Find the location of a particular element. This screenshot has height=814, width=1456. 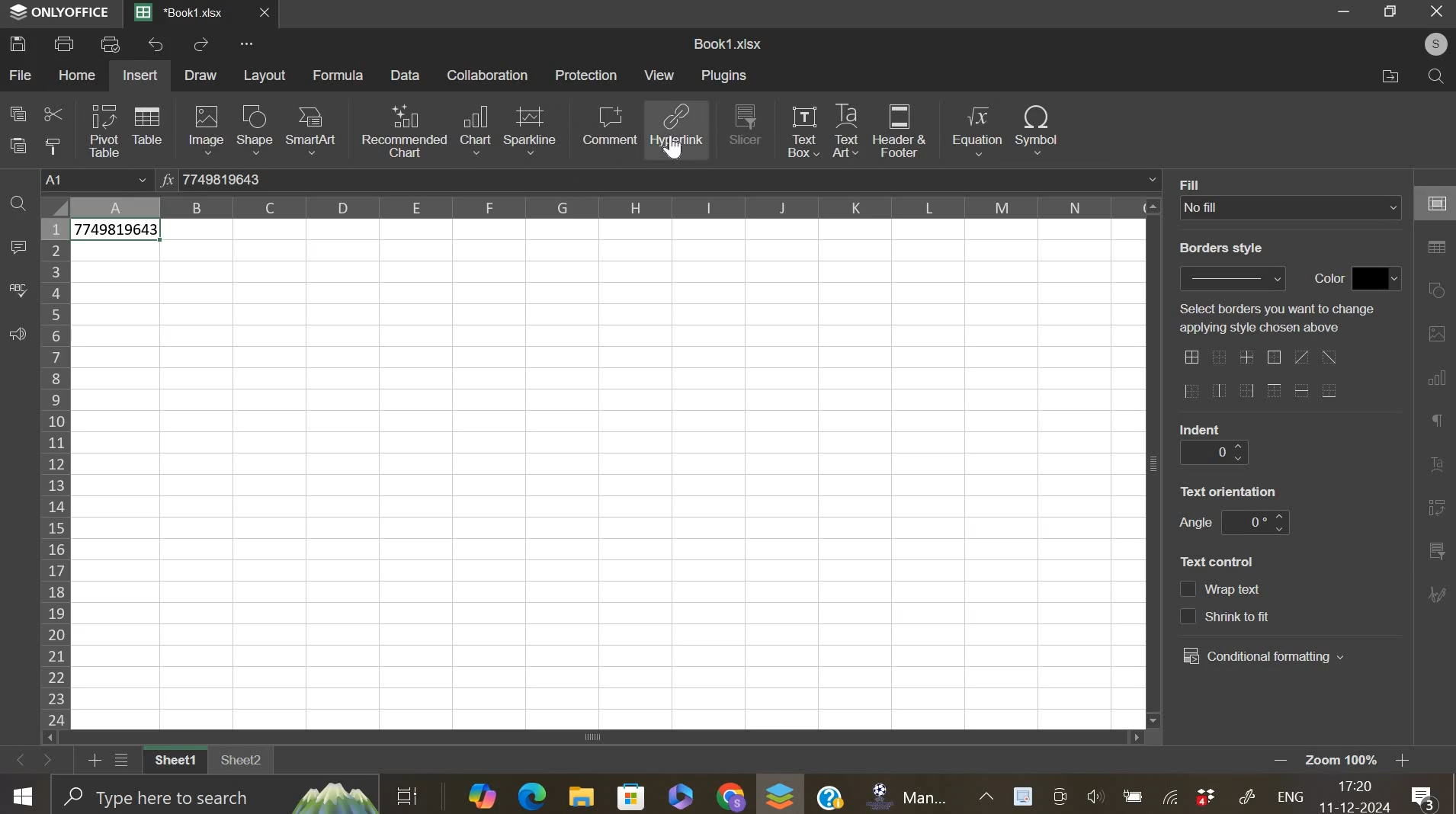

list sheets is located at coordinates (126, 761).